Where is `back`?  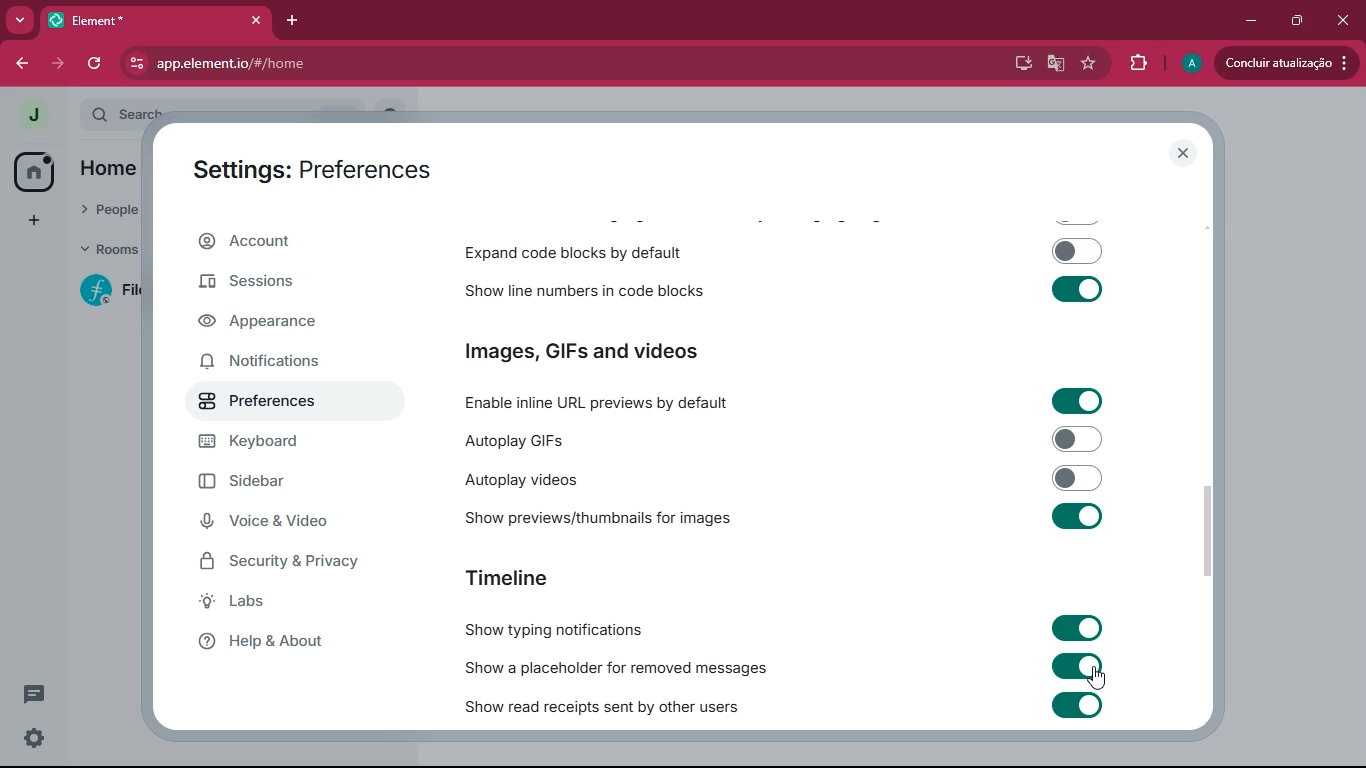 back is located at coordinates (19, 66).